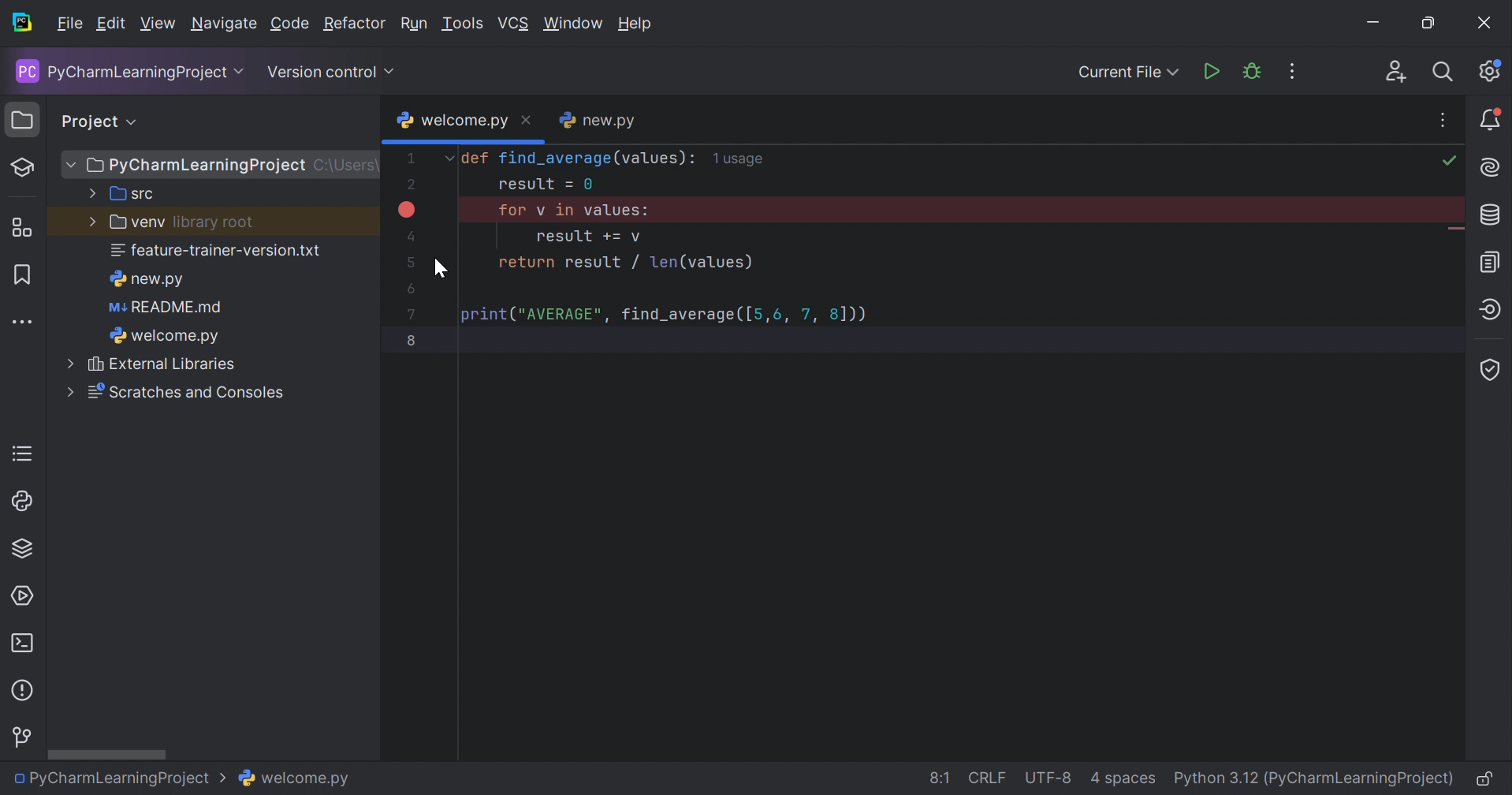  What do you see at coordinates (122, 779) in the screenshot?
I see `PyCharmLearningProject` at bounding box center [122, 779].